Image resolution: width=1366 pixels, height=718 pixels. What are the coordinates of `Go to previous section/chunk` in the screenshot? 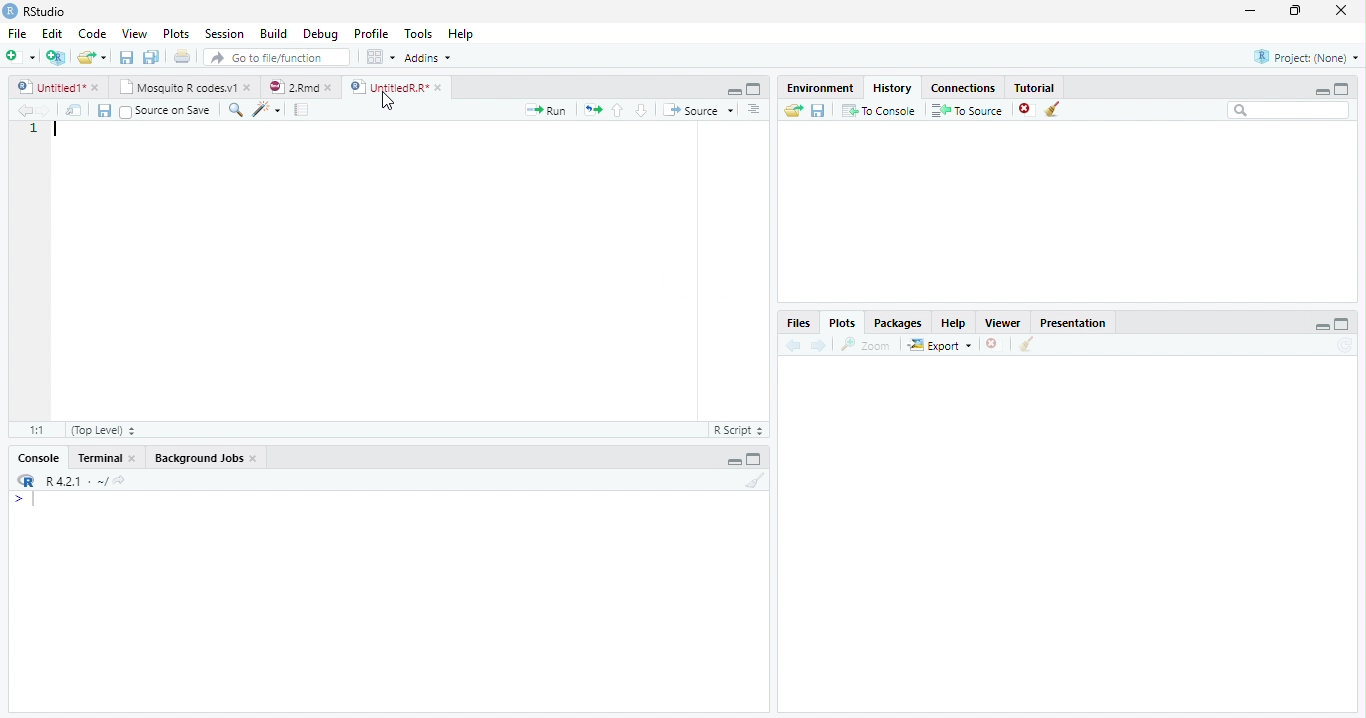 It's located at (617, 110).